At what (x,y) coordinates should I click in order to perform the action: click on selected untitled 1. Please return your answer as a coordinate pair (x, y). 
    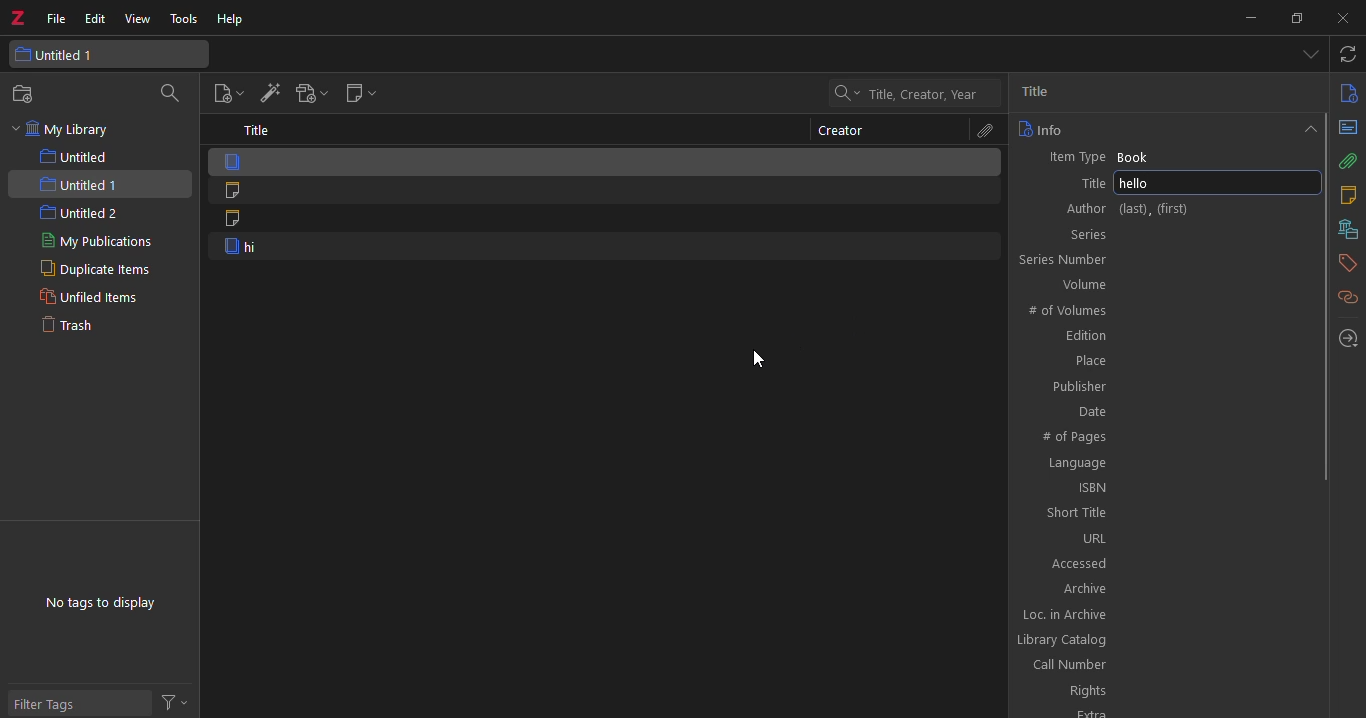
    Looking at the image, I should click on (99, 184).